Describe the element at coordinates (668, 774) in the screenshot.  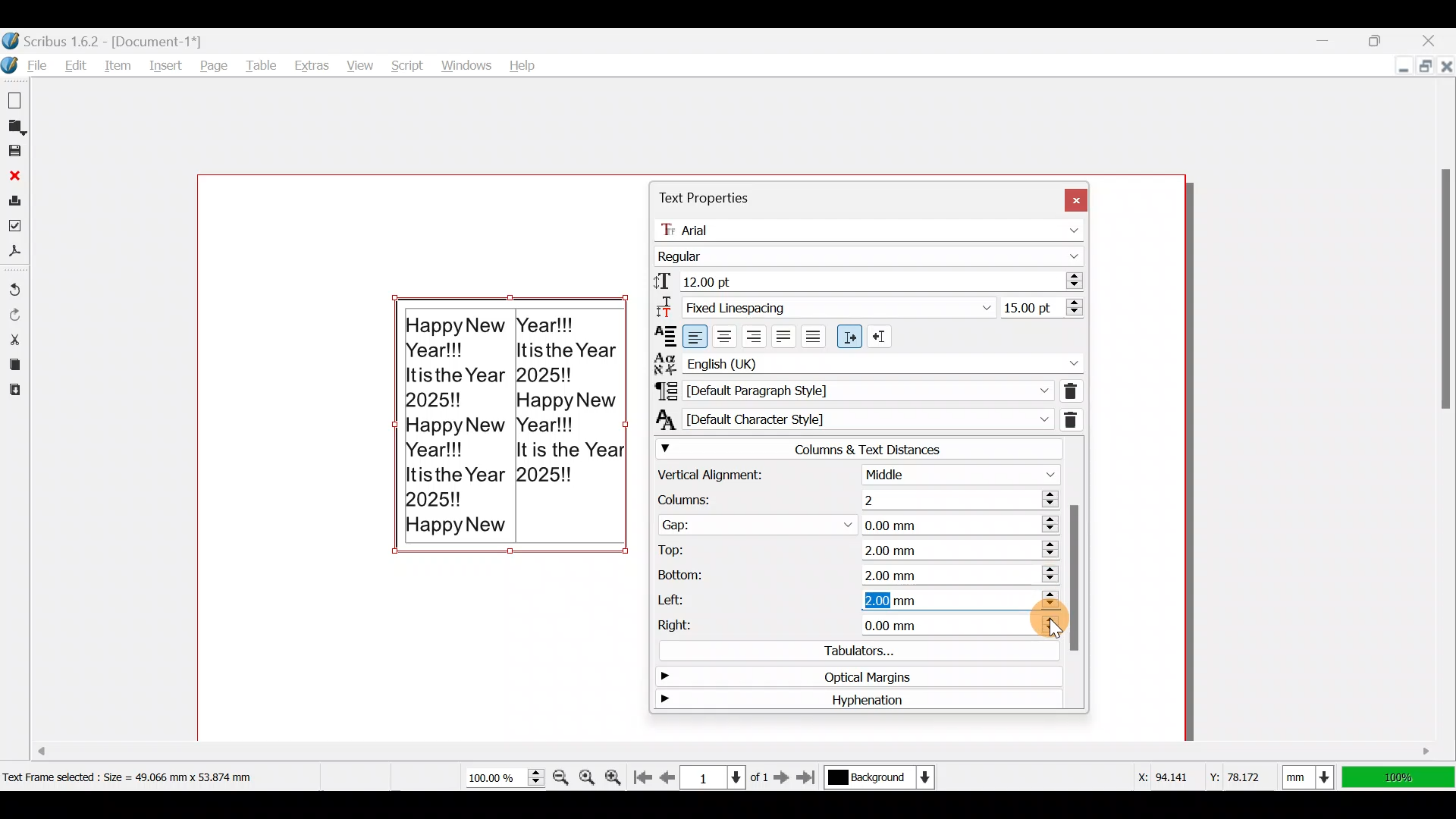
I see `Go to previous page` at that location.